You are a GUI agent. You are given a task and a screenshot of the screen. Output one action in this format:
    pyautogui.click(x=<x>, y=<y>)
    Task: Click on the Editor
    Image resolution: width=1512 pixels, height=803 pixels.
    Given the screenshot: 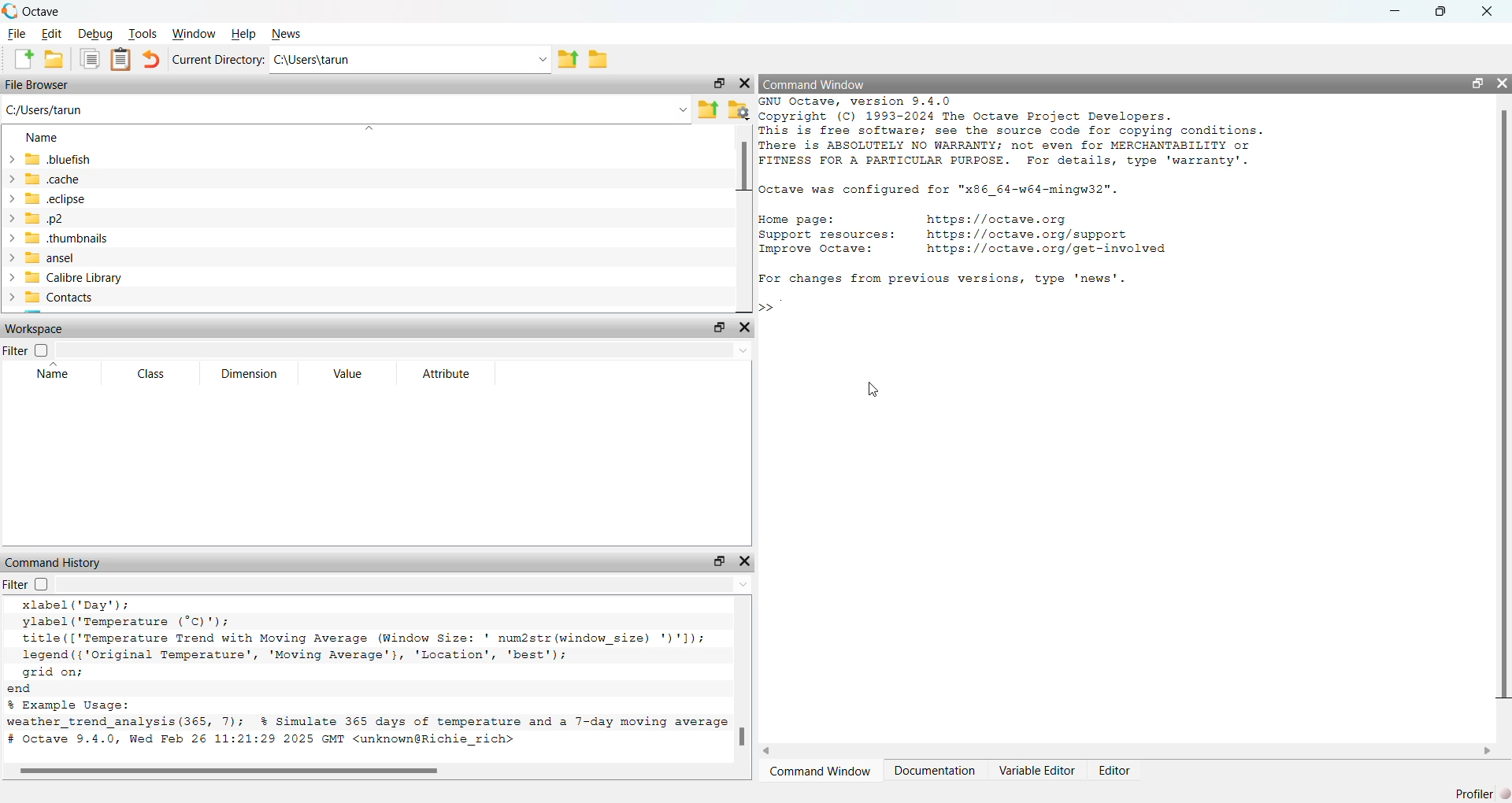 What is the action you would take?
    pyautogui.click(x=1115, y=770)
    